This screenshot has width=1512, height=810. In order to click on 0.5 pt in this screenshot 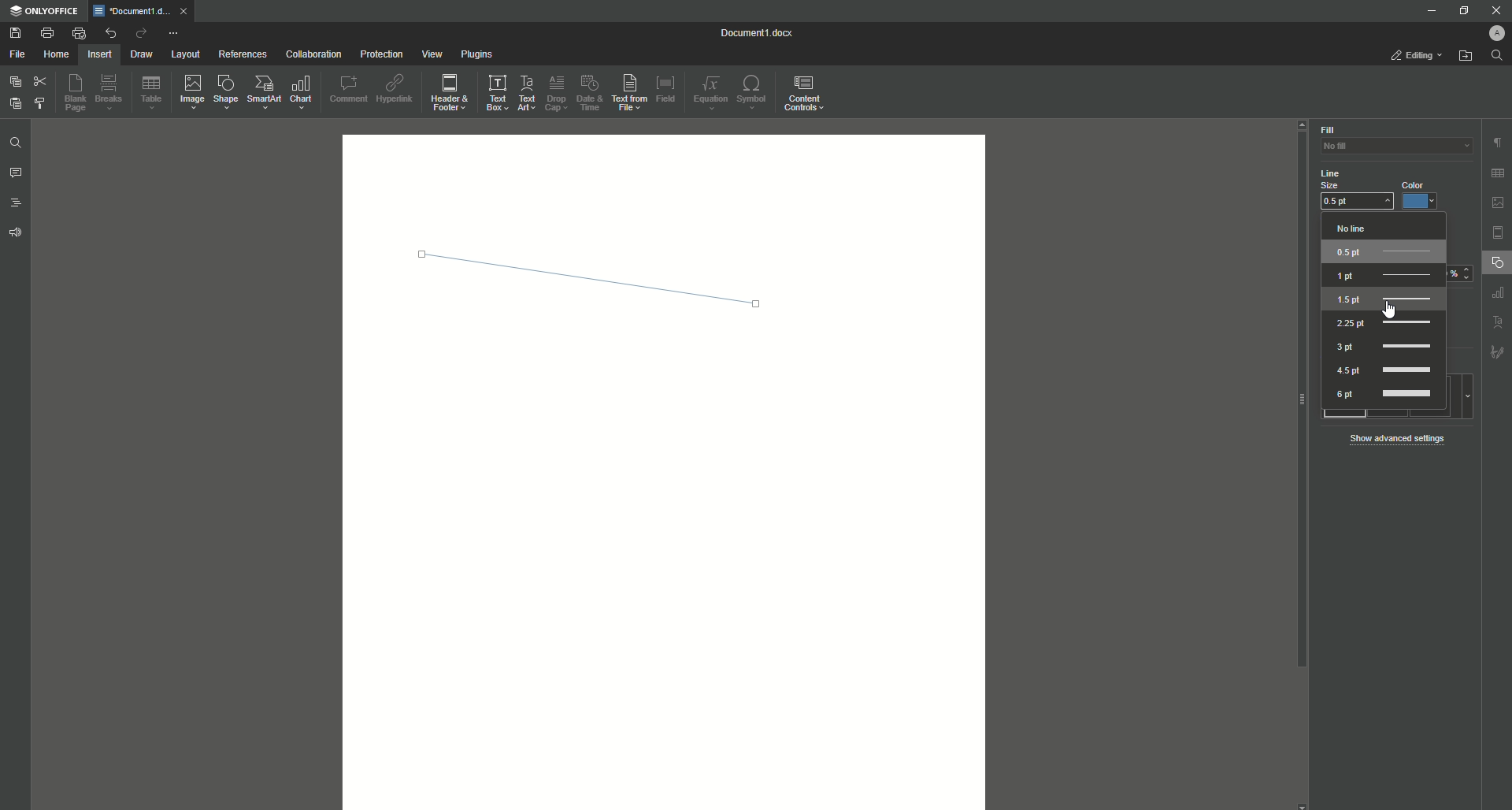, I will do `click(1356, 203)`.